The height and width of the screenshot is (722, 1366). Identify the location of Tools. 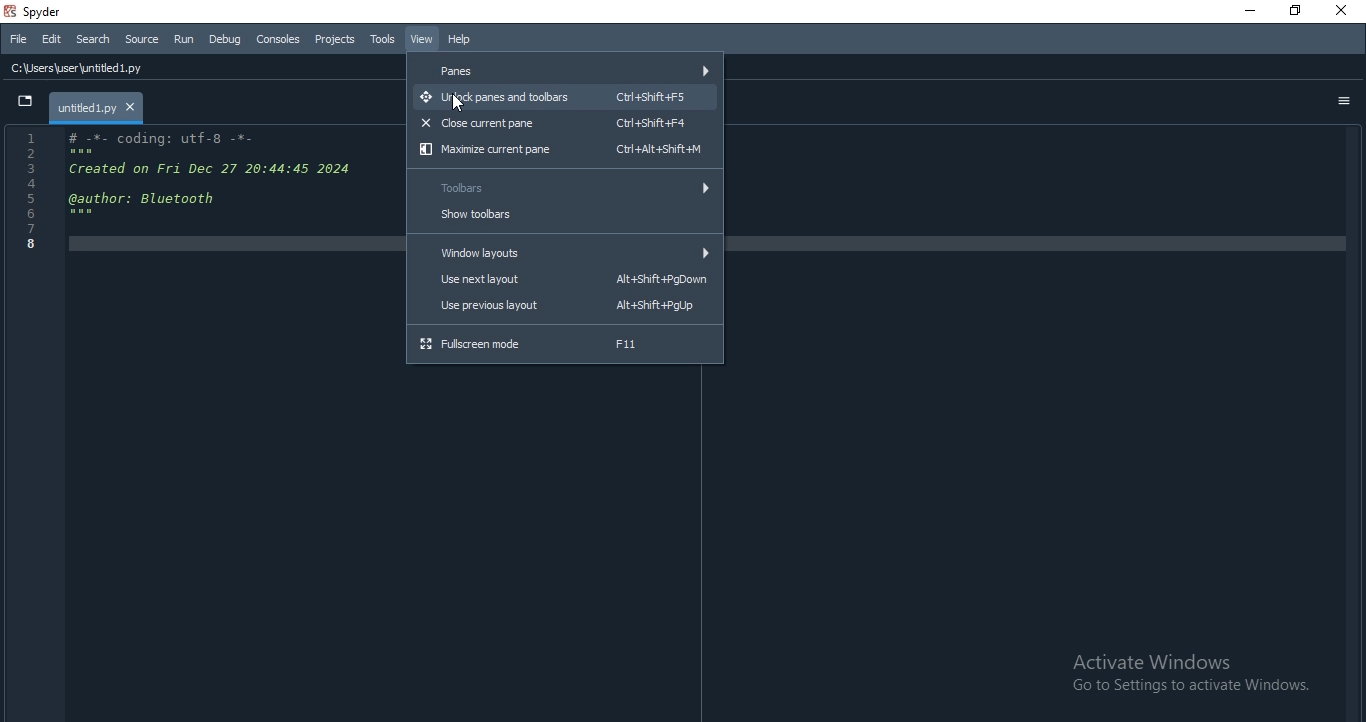
(383, 40).